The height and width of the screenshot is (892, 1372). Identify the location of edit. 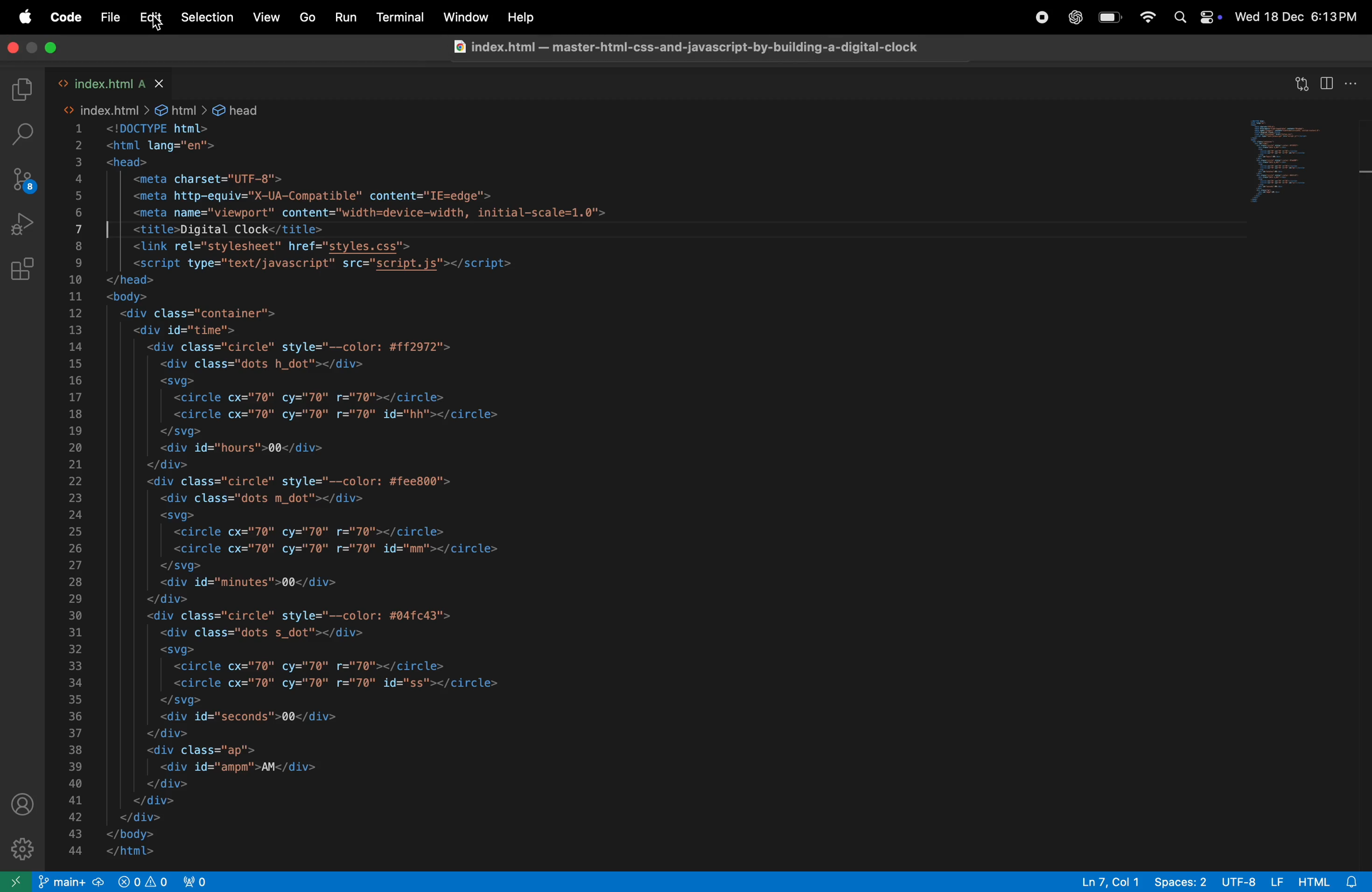
(151, 18).